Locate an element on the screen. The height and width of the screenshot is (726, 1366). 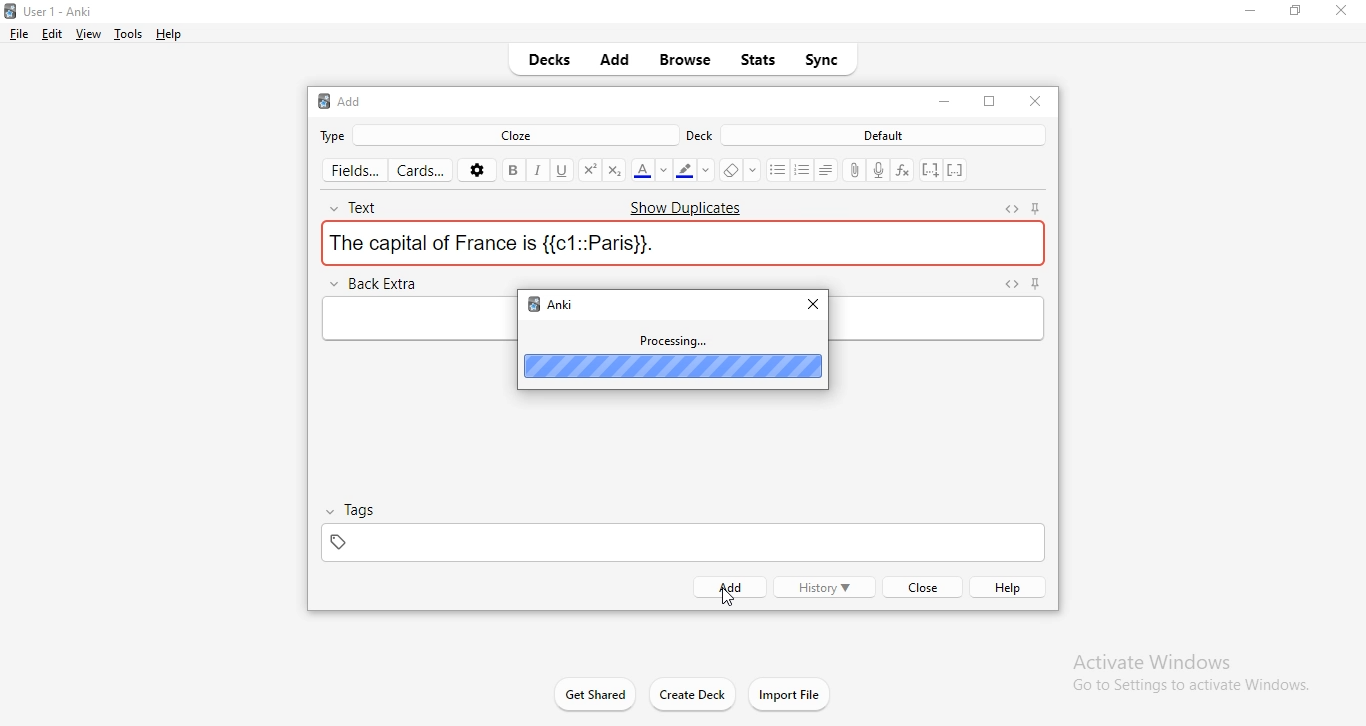
close is located at coordinates (1340, 10).